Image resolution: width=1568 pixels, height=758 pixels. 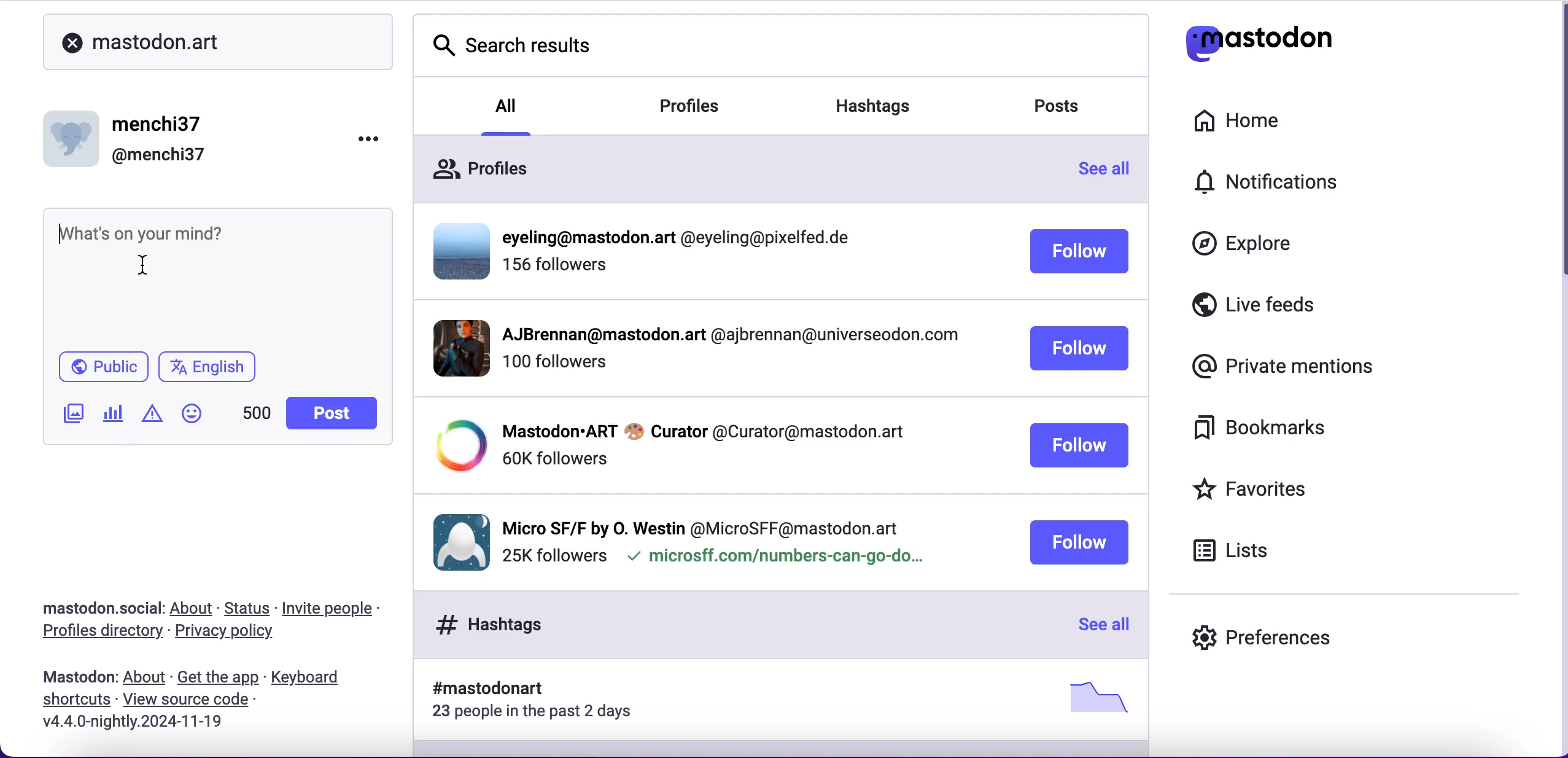 I want to click on @menchi37, so click(x=159, y=156).